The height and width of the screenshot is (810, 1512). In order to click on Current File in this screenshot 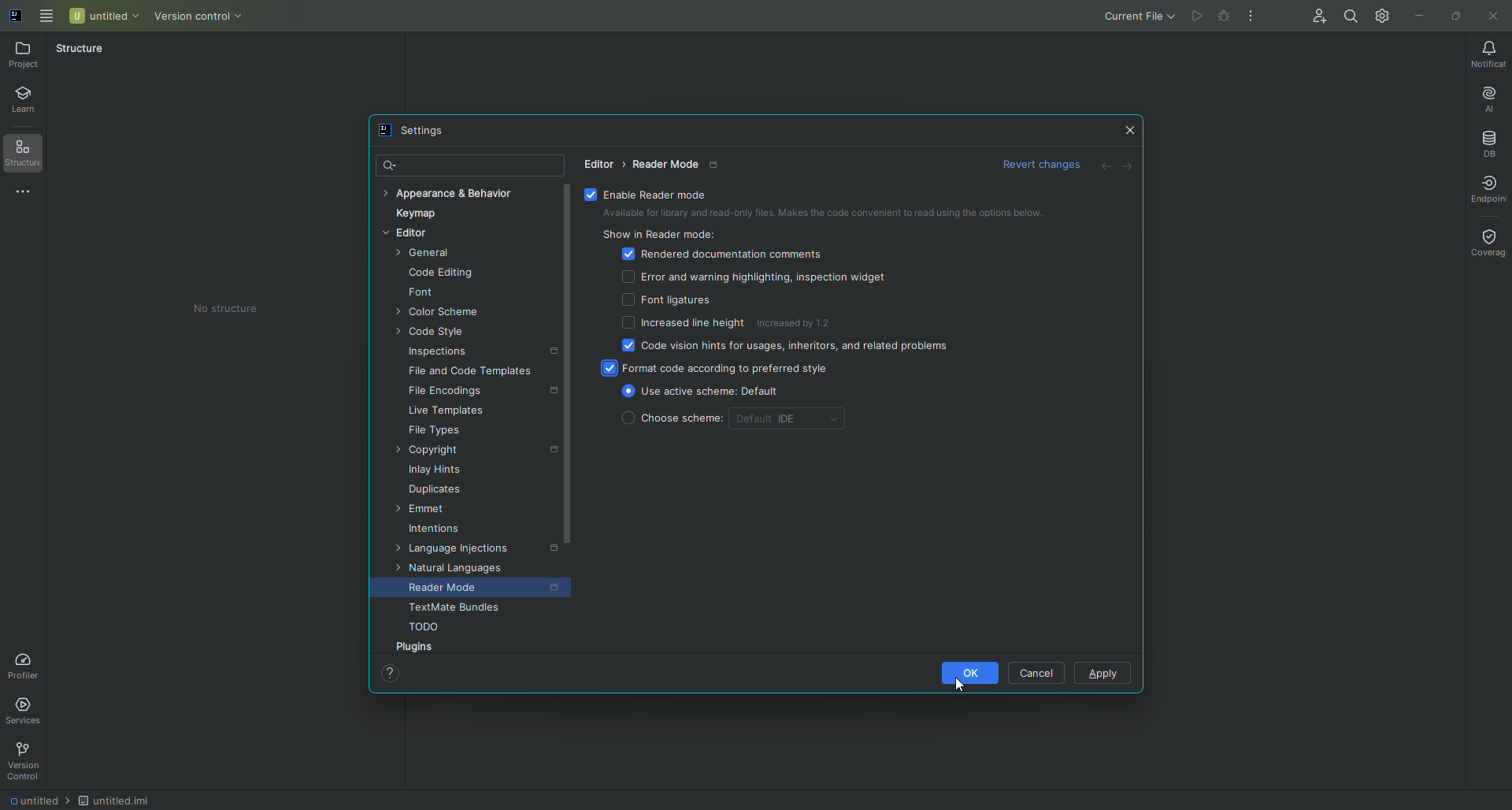, I will do `click(1142, 17)`.